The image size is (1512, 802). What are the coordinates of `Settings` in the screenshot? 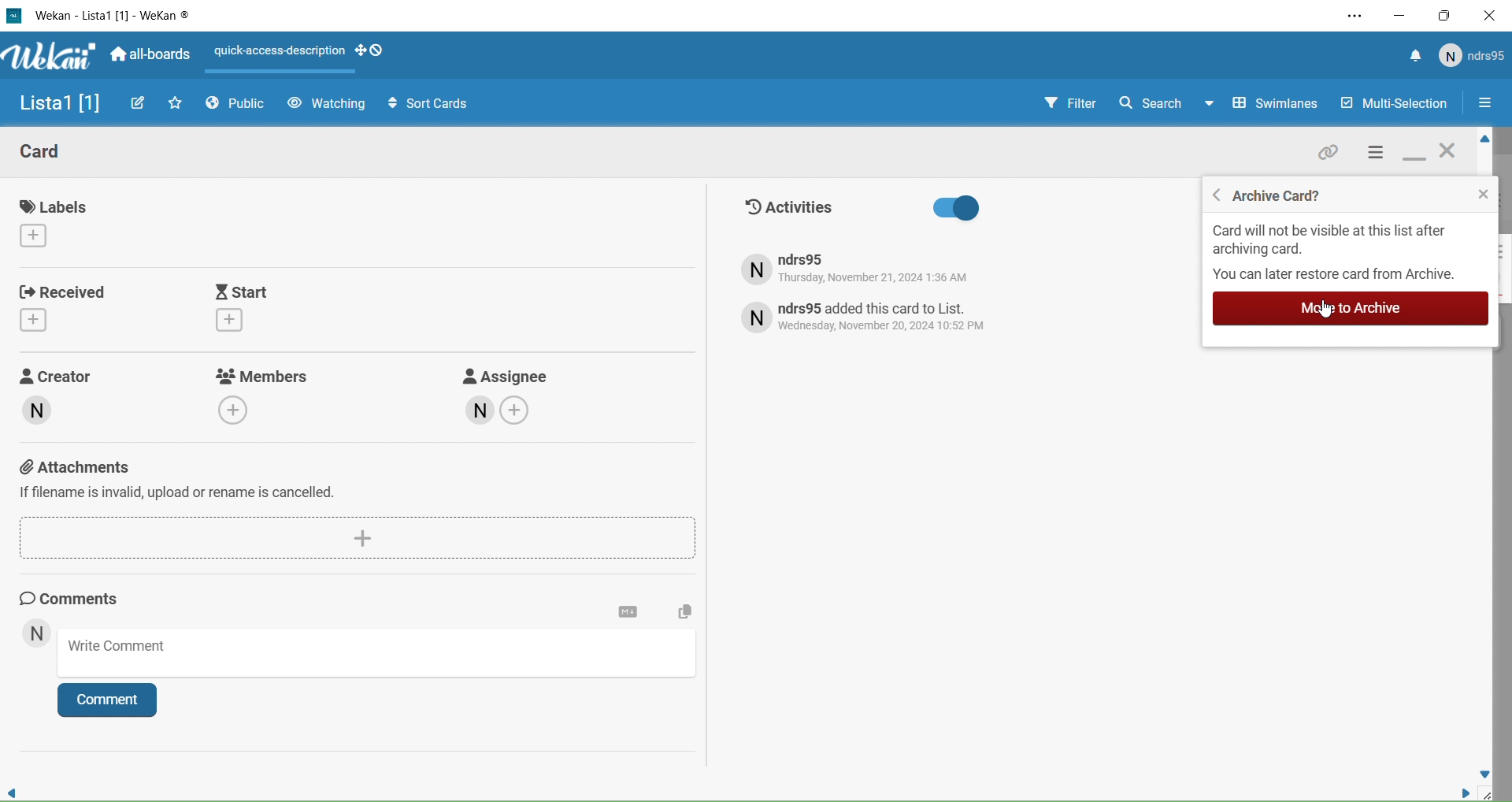 It's located at (1377, 157).